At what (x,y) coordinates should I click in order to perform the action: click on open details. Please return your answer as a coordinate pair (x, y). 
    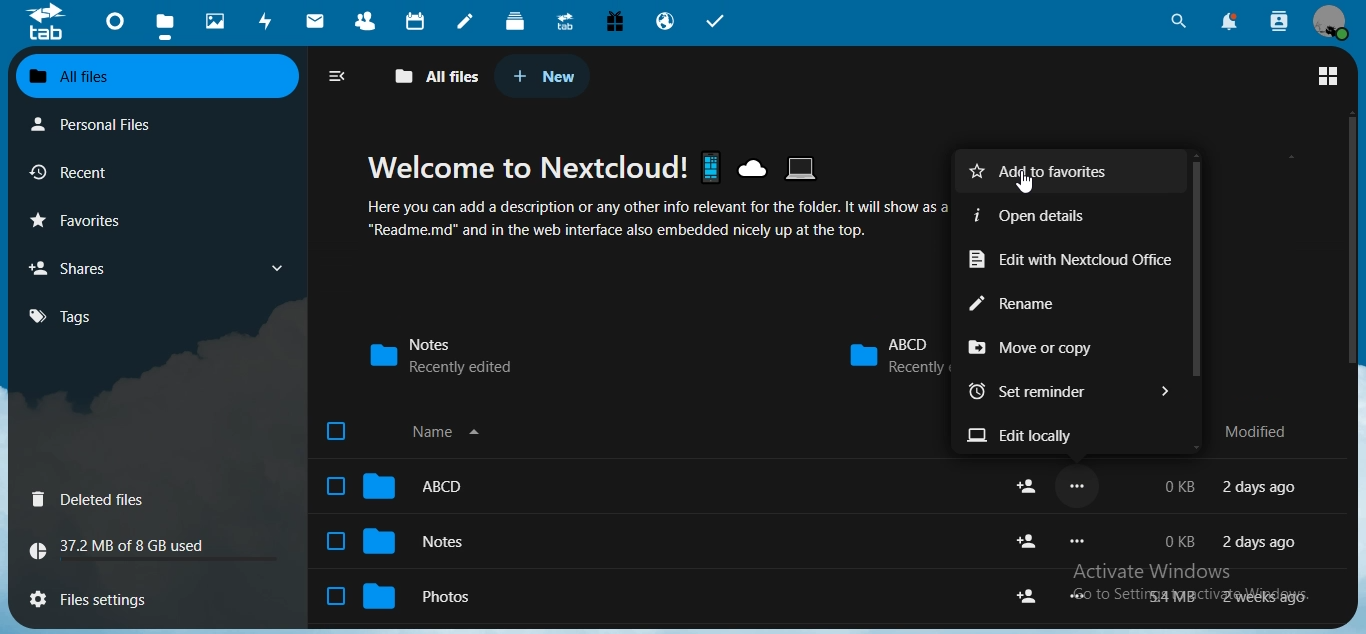
    Looking at the image, I should click on (1031, 214).